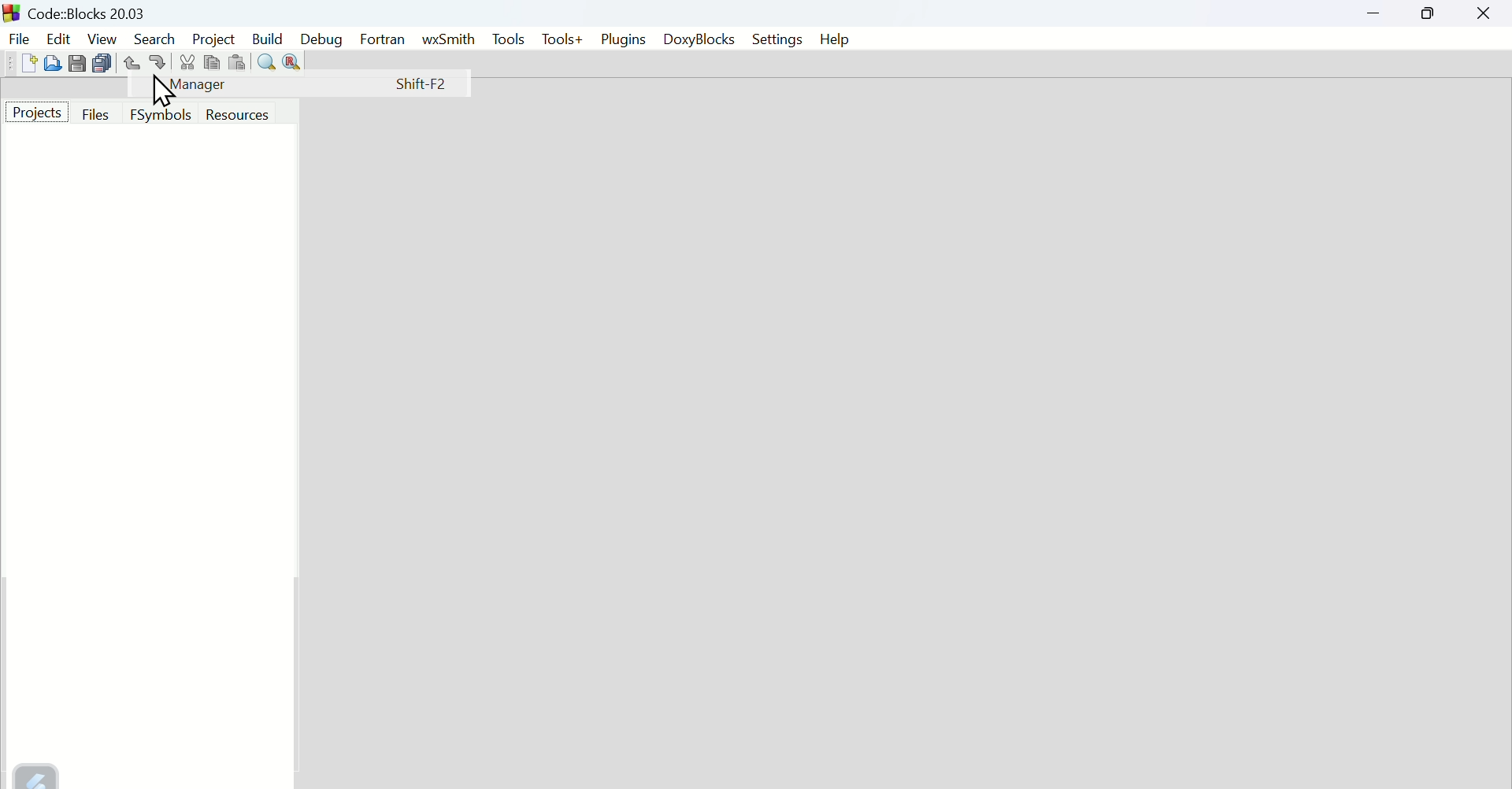  I want to click on minimize, so click(1376, 13).